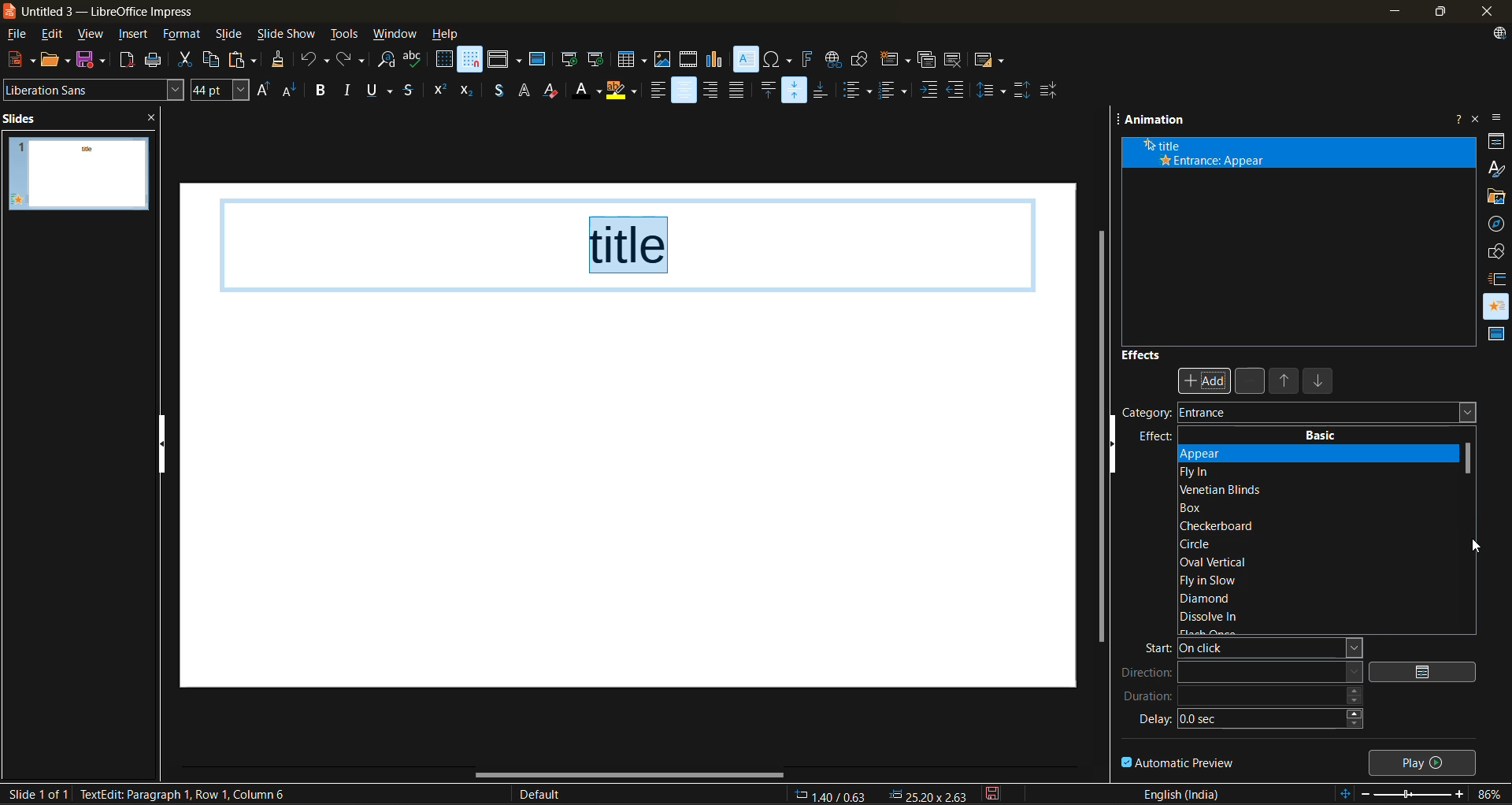 The width and height of the screenshot is (1512, 805). Describe the element at coordinates (1314, 540) in the screenshot. I see `basic effects` at that location.